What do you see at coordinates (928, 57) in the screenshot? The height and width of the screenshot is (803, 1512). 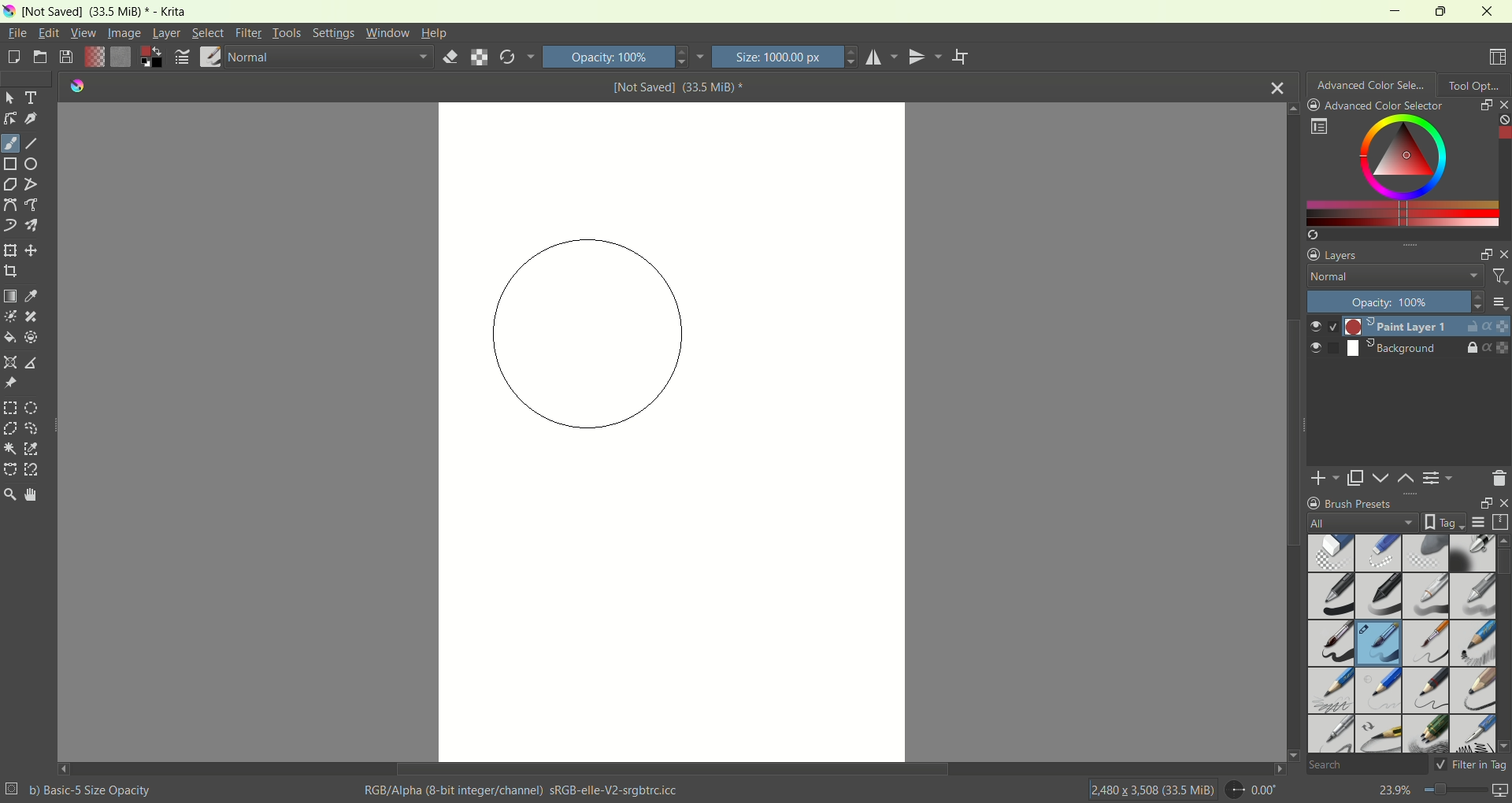 I see `vertical mirror tool` at bounding box center [928, 57].